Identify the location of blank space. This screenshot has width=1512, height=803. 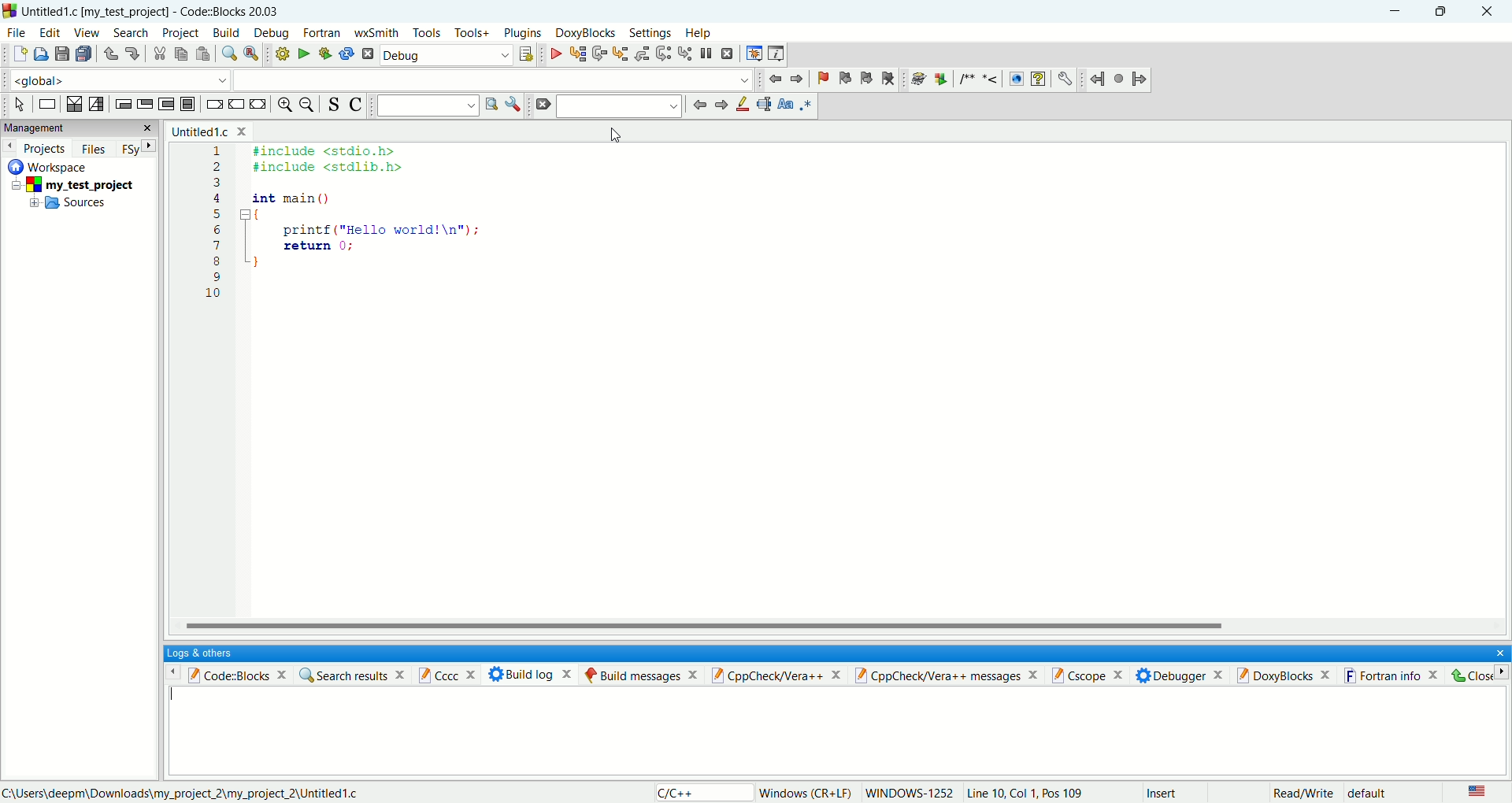
(621, 105).